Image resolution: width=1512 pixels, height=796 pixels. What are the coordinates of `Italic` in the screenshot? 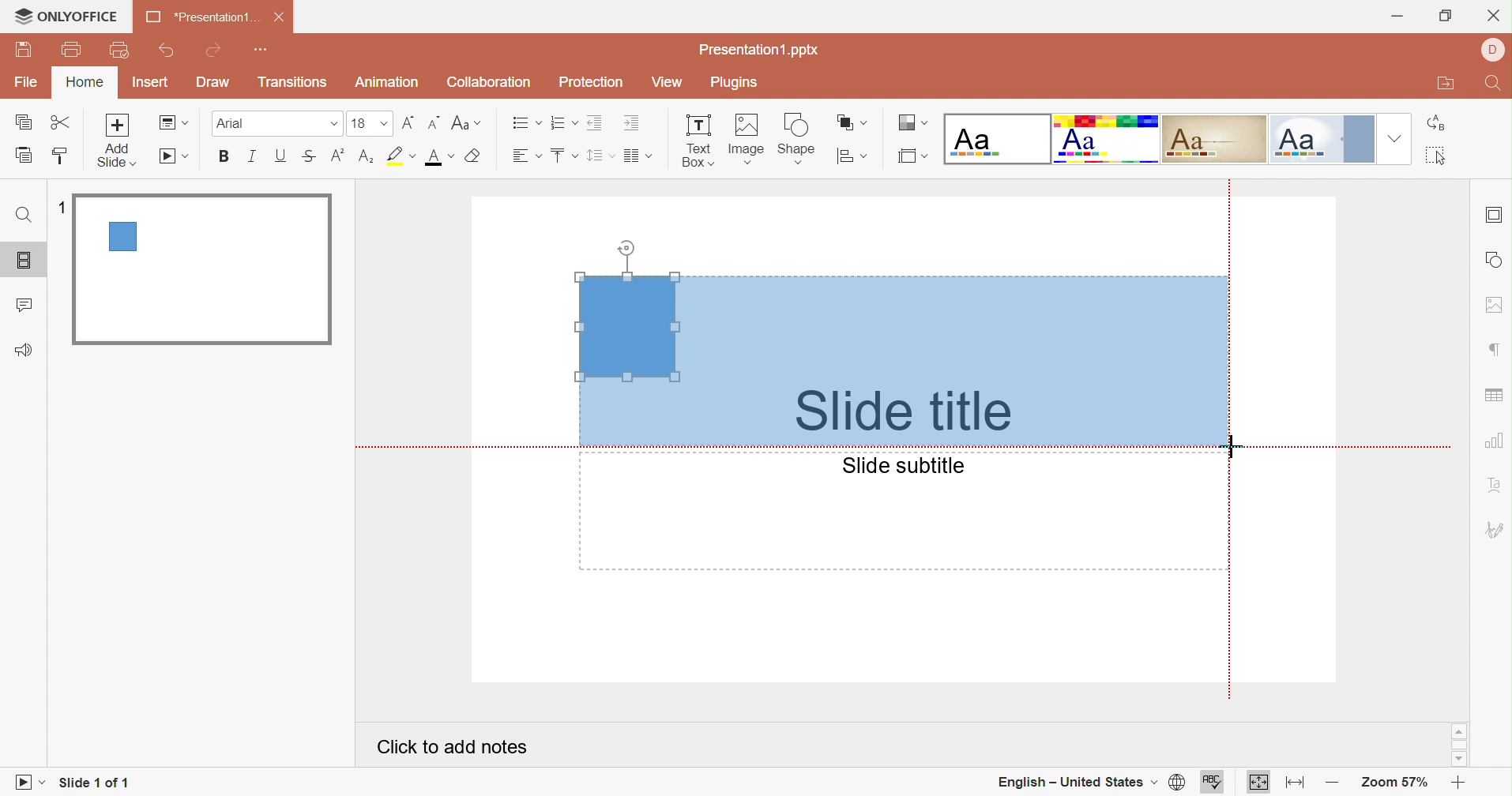 It's located at (250, 157).